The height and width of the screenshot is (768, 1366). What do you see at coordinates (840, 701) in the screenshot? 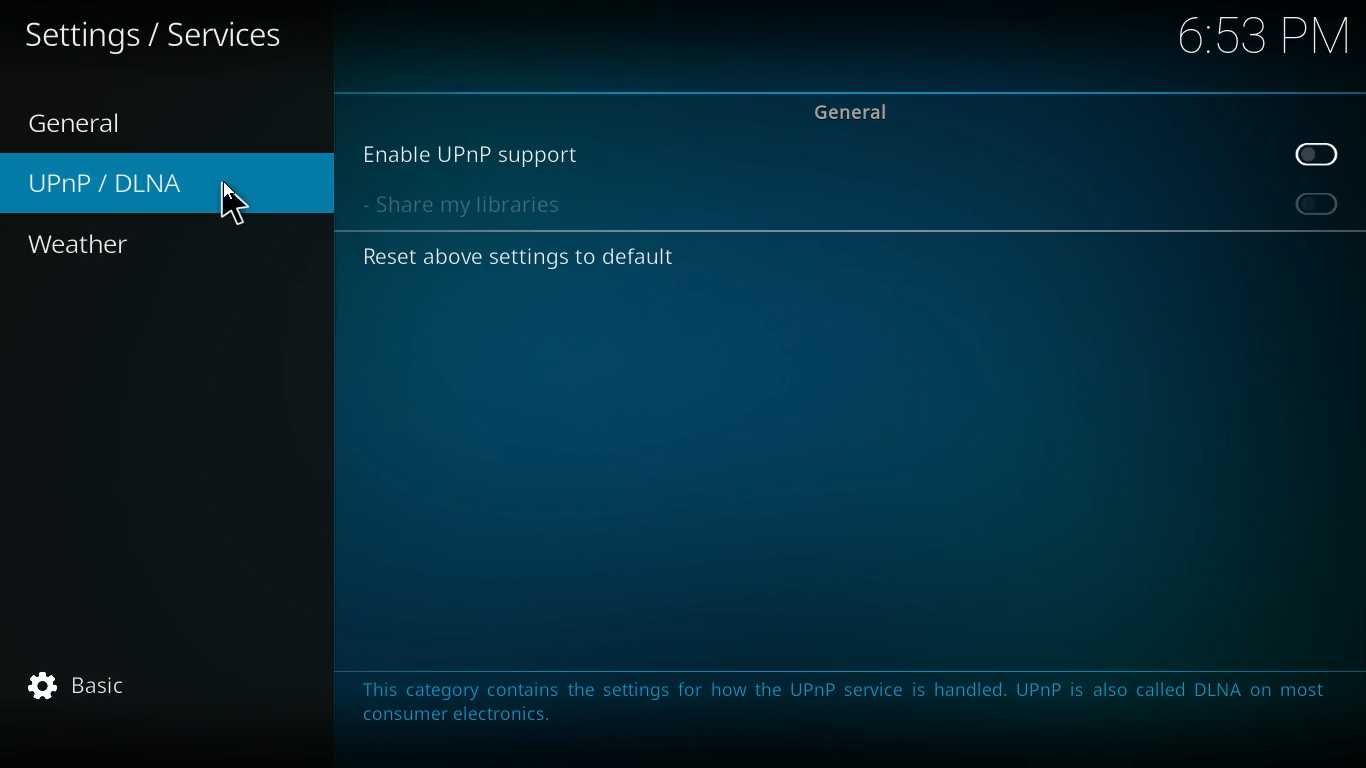
I see `This category contains the settings for how the UPnP service is handled. UPnP is also called DLNA on most
consumer electronics.` at bounding box center [840, 701].